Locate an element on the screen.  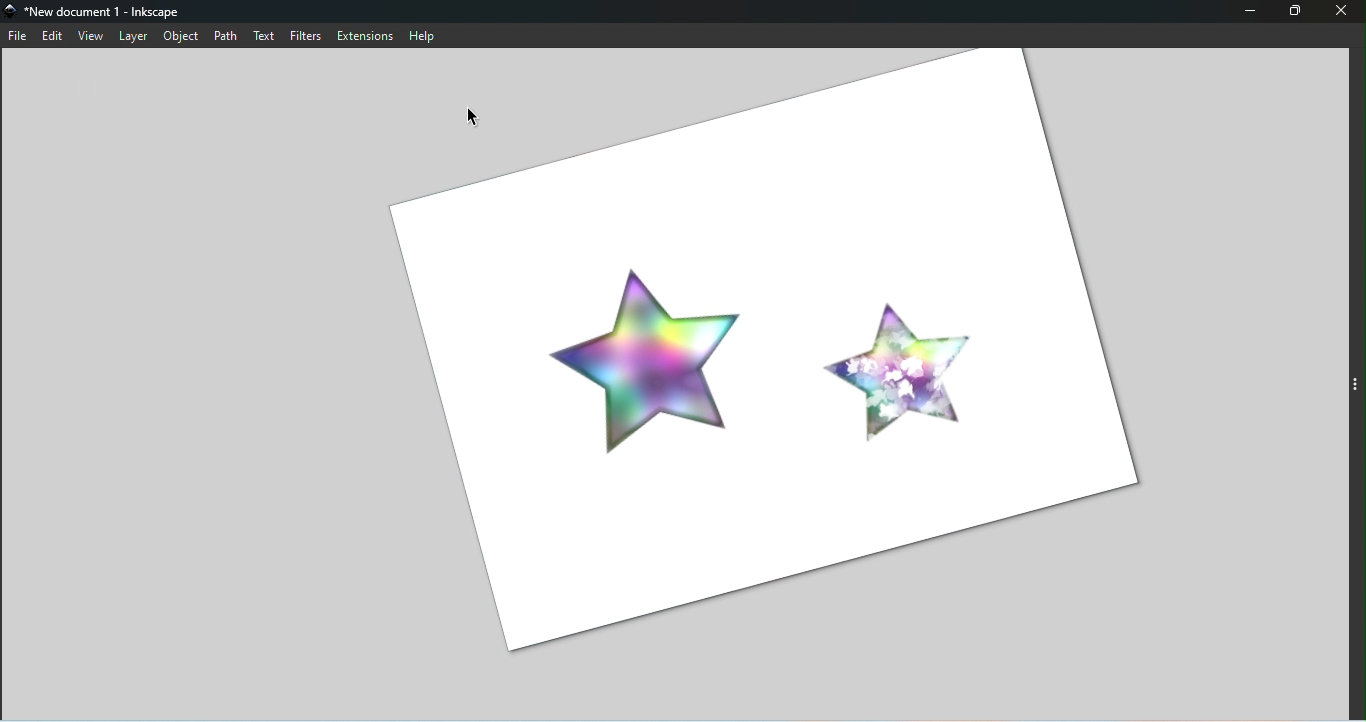
Object is located at coordinates (181, 36).